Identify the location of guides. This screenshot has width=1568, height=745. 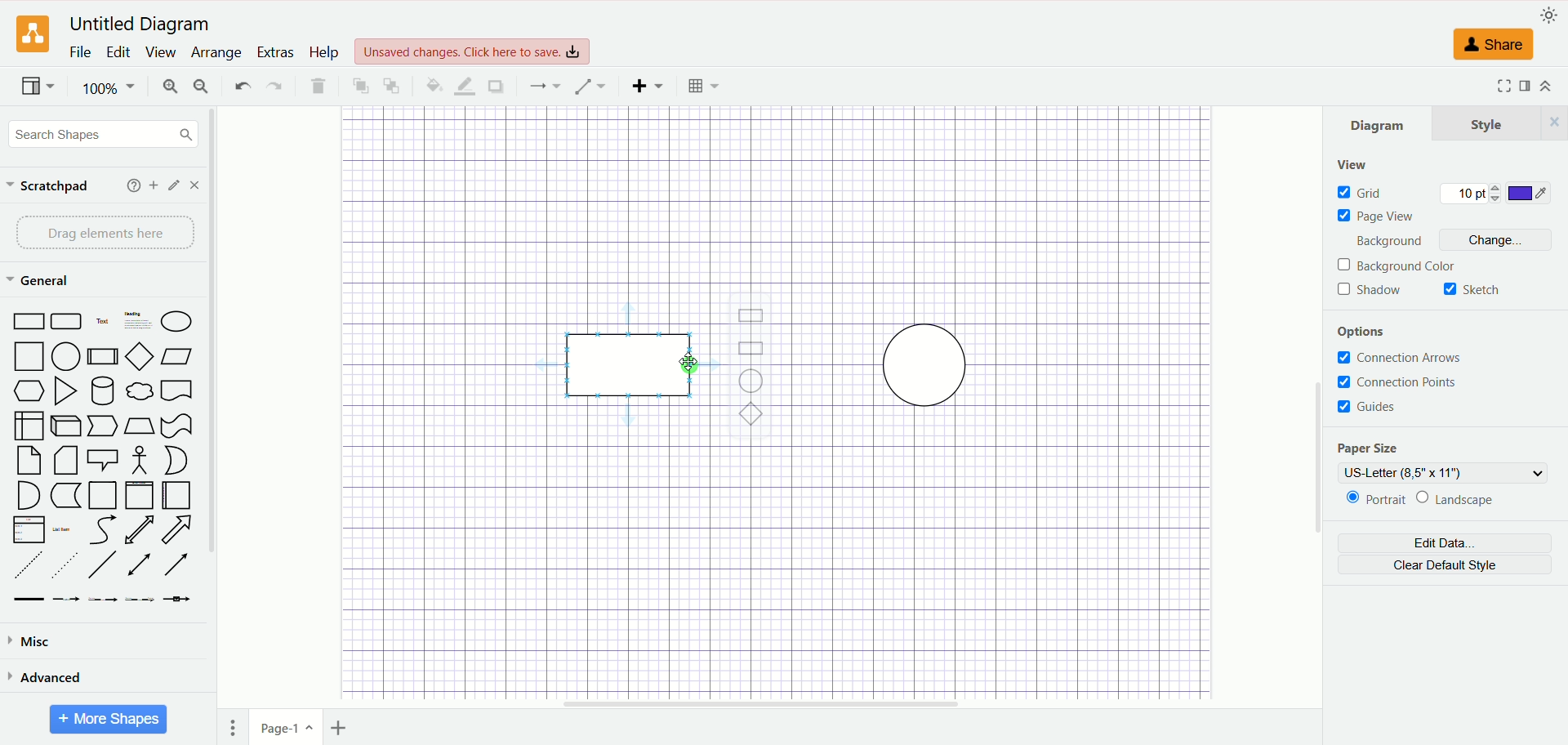
(1366, 407).